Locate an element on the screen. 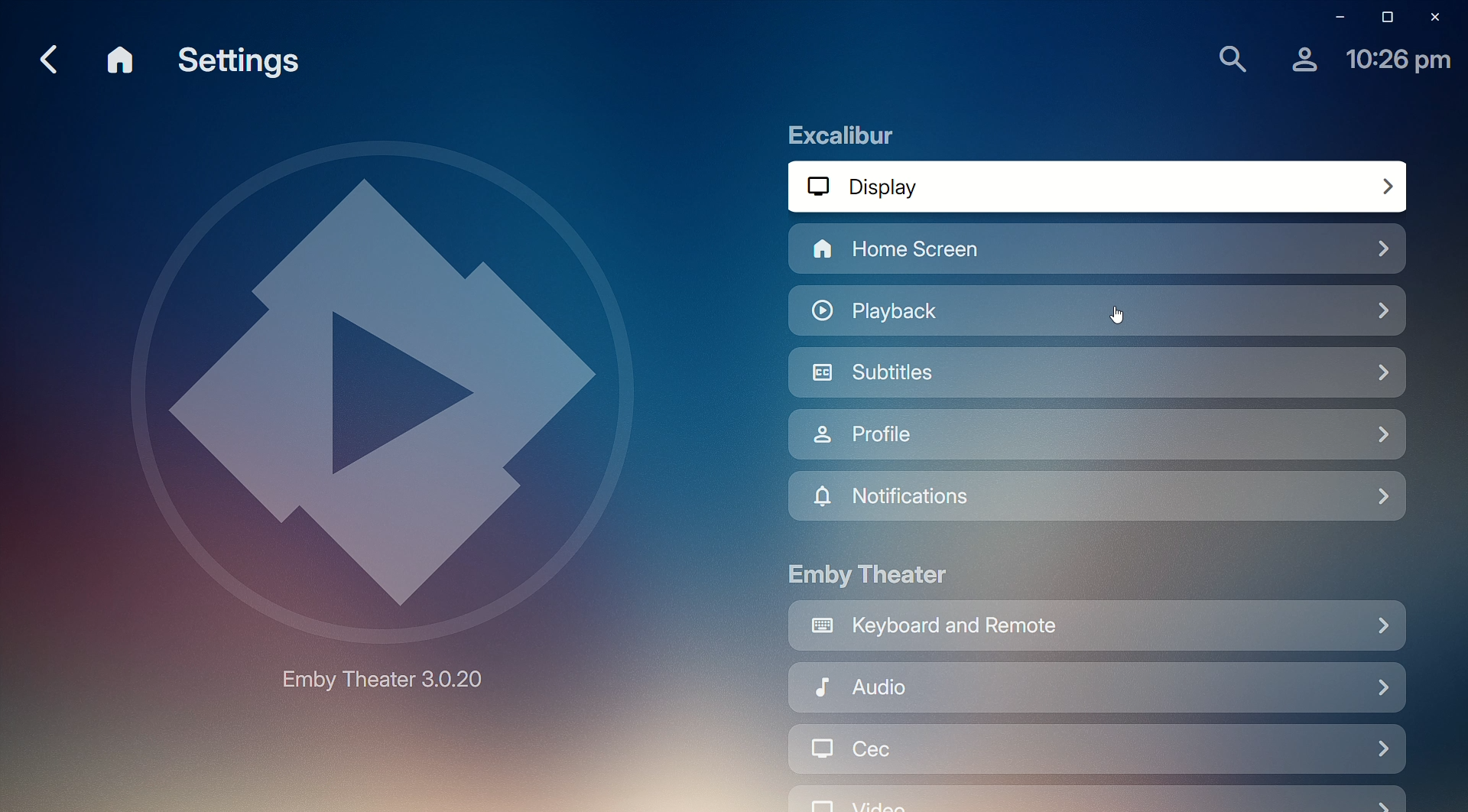 The height and width of the screenshot is (812, 1468). Restore is located at coordinates (1384, 17).